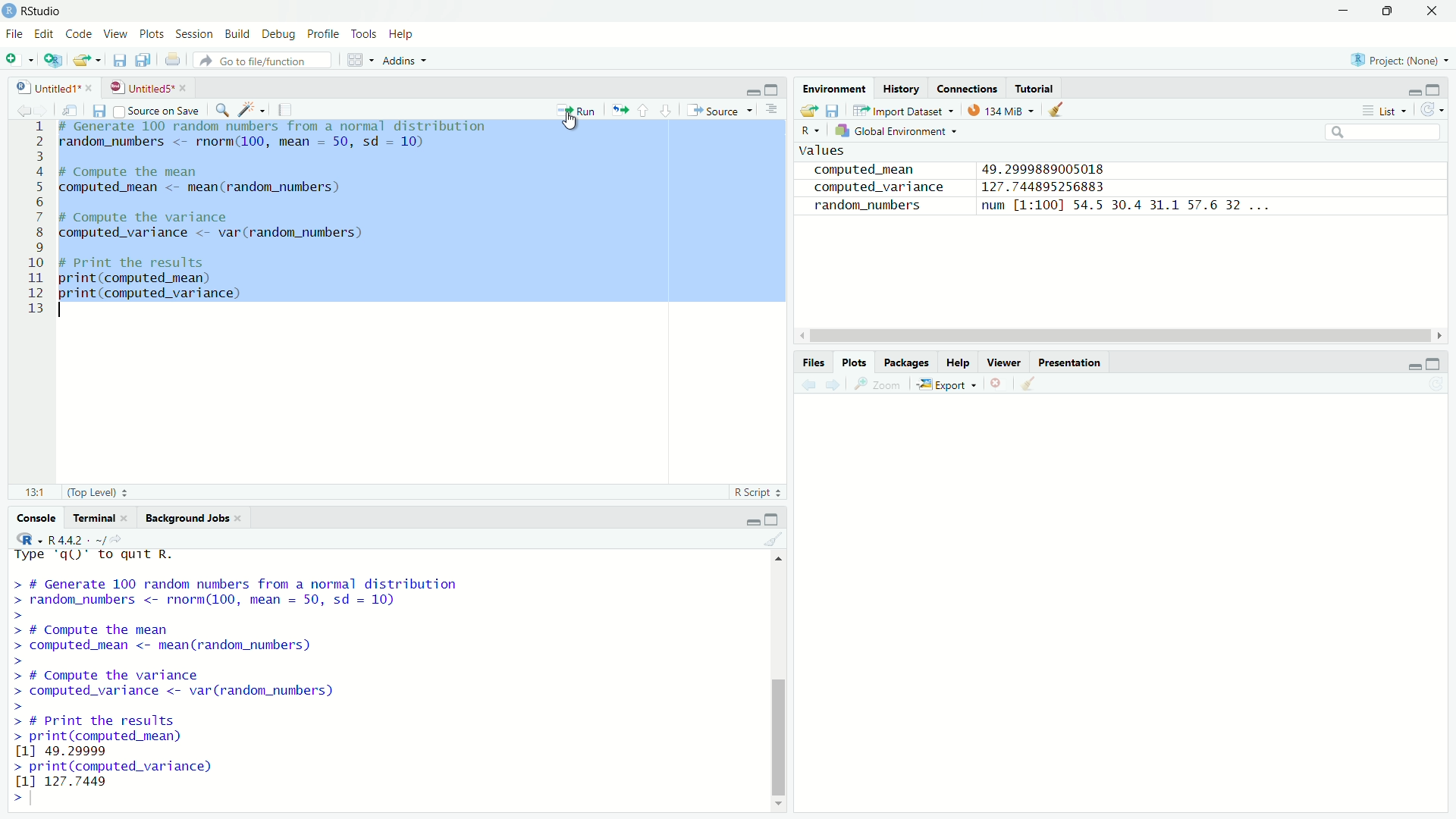 Image resolution: width=1456 pixels, height=819 pixels. Describe the element at coordinates (1441, 89) in the screenshot. I see `maximize` at that location.